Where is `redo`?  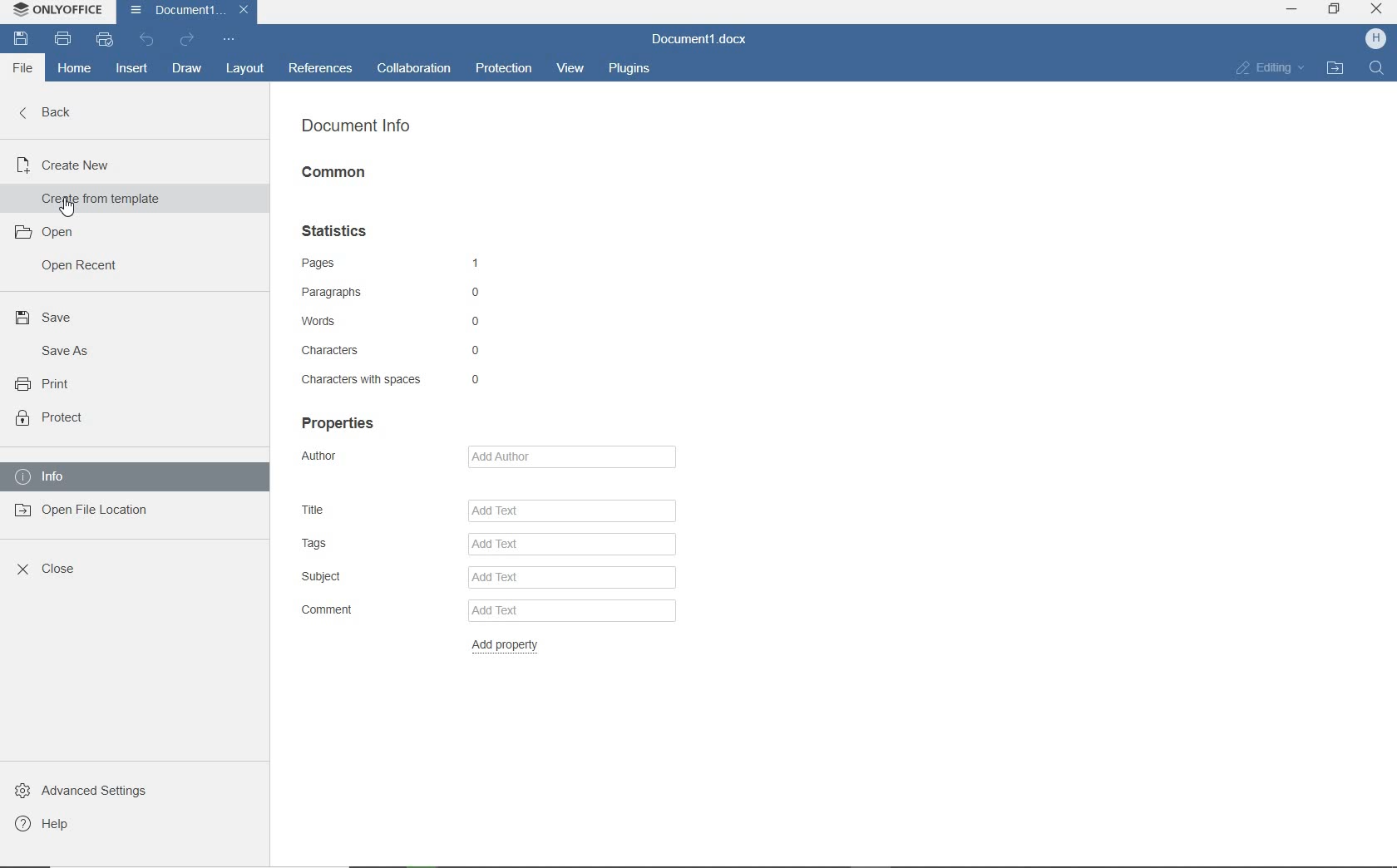 redo is located at coordinates (188, 40).